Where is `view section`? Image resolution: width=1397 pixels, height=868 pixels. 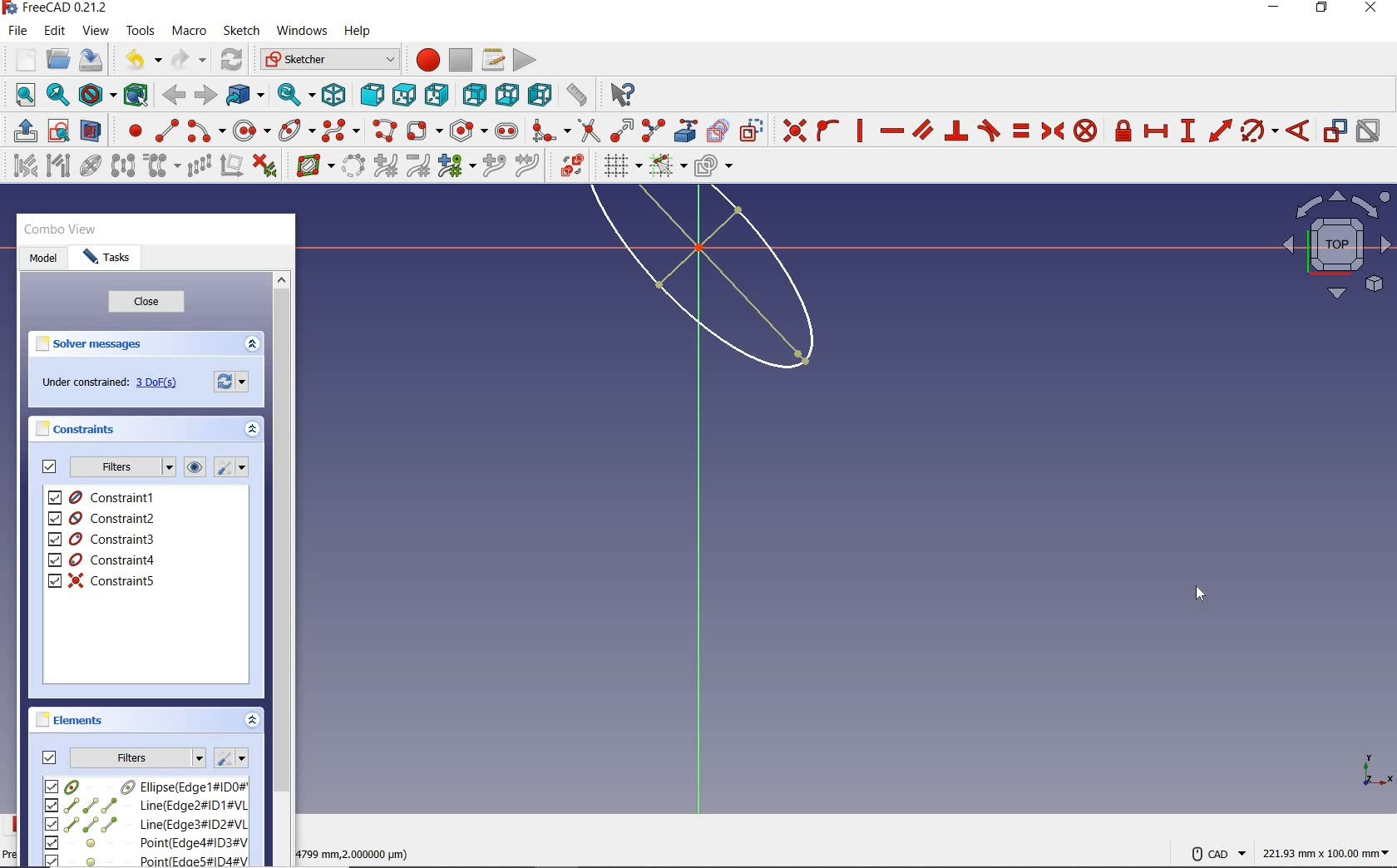 view section is located at coordinates (94, 131).